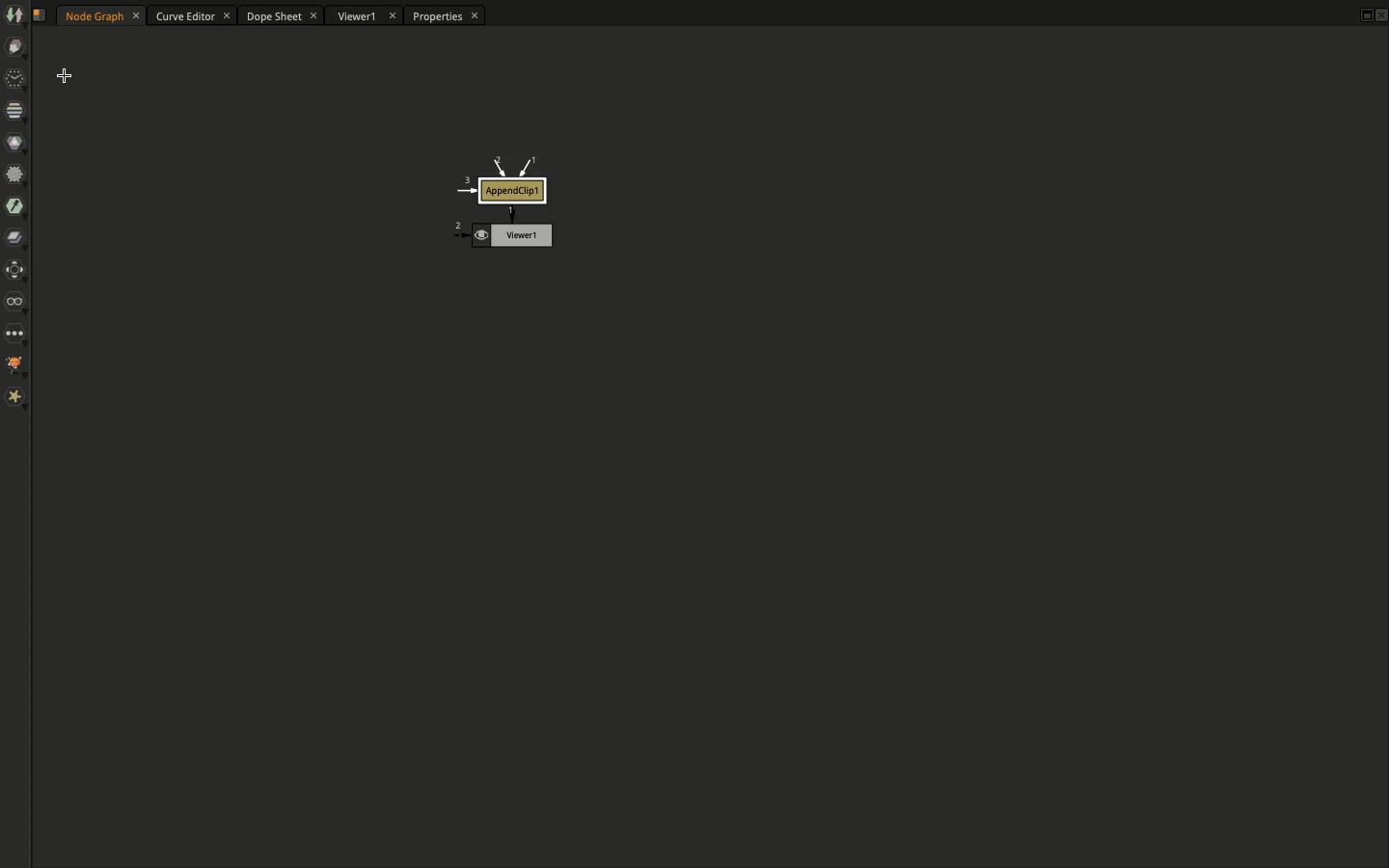 The width and height of the screenshot is (1389, 868). I want to click on GMI, so click(16, 366).